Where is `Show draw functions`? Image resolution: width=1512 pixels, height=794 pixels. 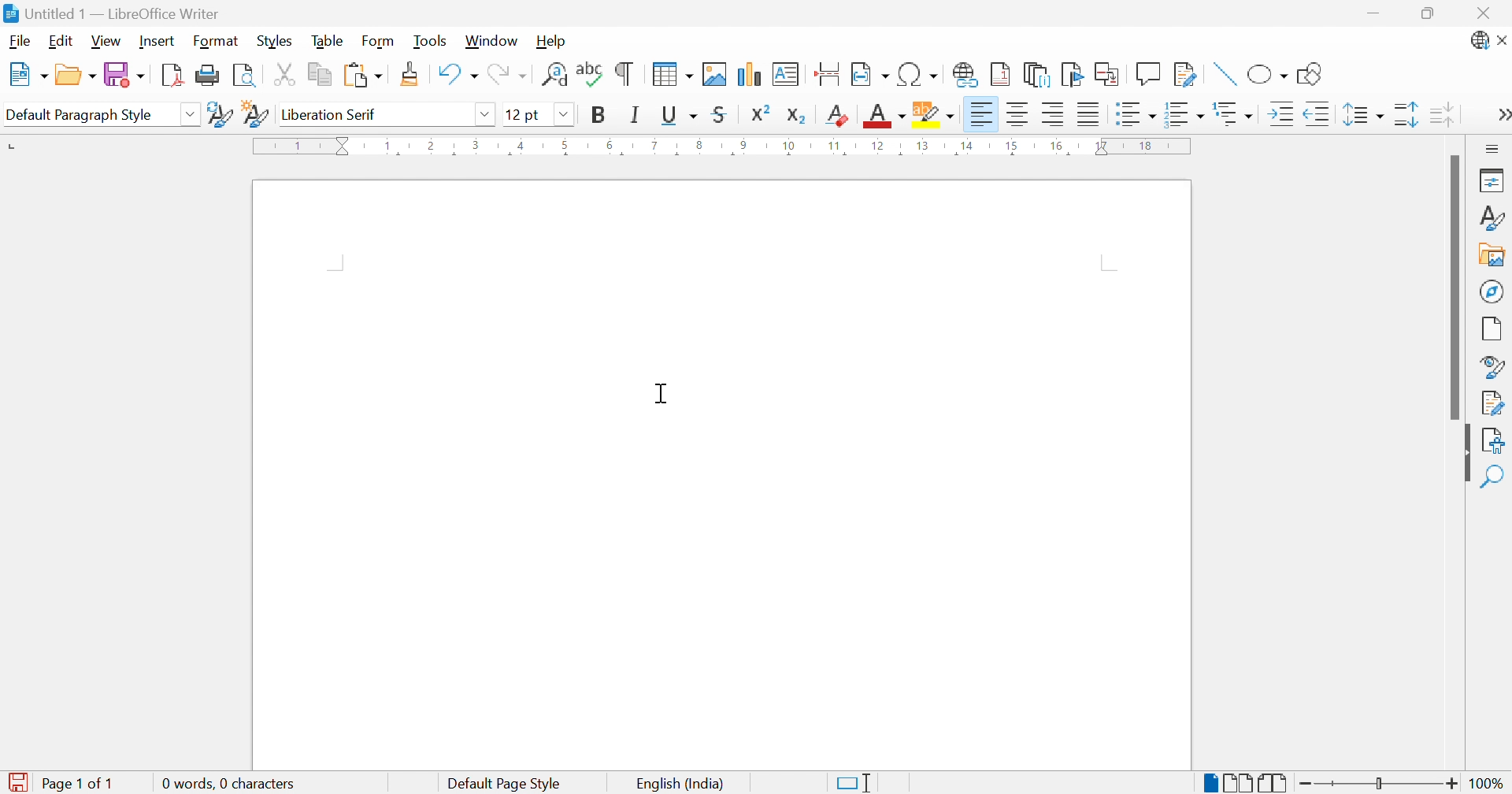 Show draw functions is located at coordinates (1307, 74).